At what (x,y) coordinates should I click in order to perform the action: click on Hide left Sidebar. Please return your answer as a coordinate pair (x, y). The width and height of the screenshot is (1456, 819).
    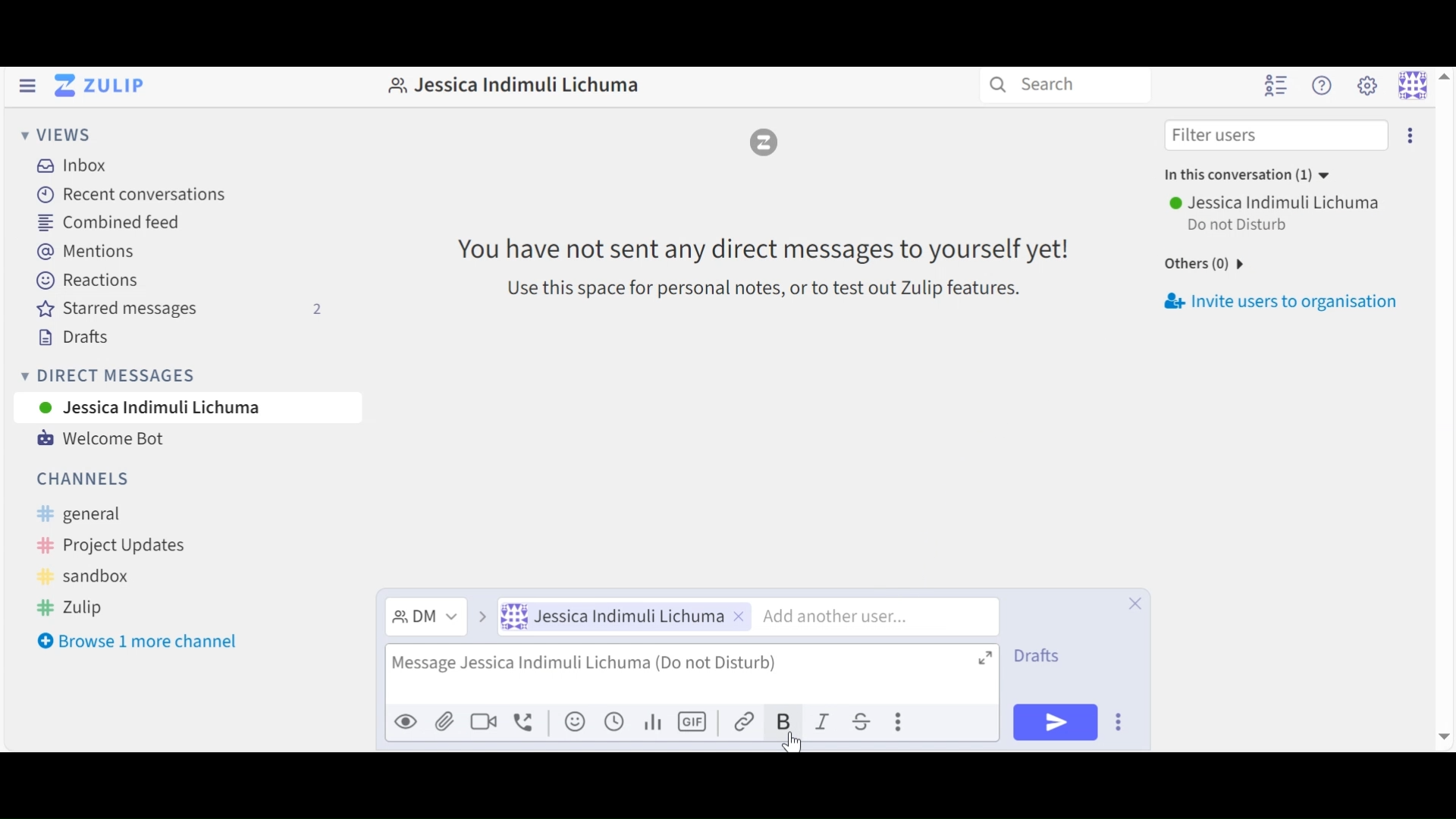
    Looking at the image, I should click on (27, 86).